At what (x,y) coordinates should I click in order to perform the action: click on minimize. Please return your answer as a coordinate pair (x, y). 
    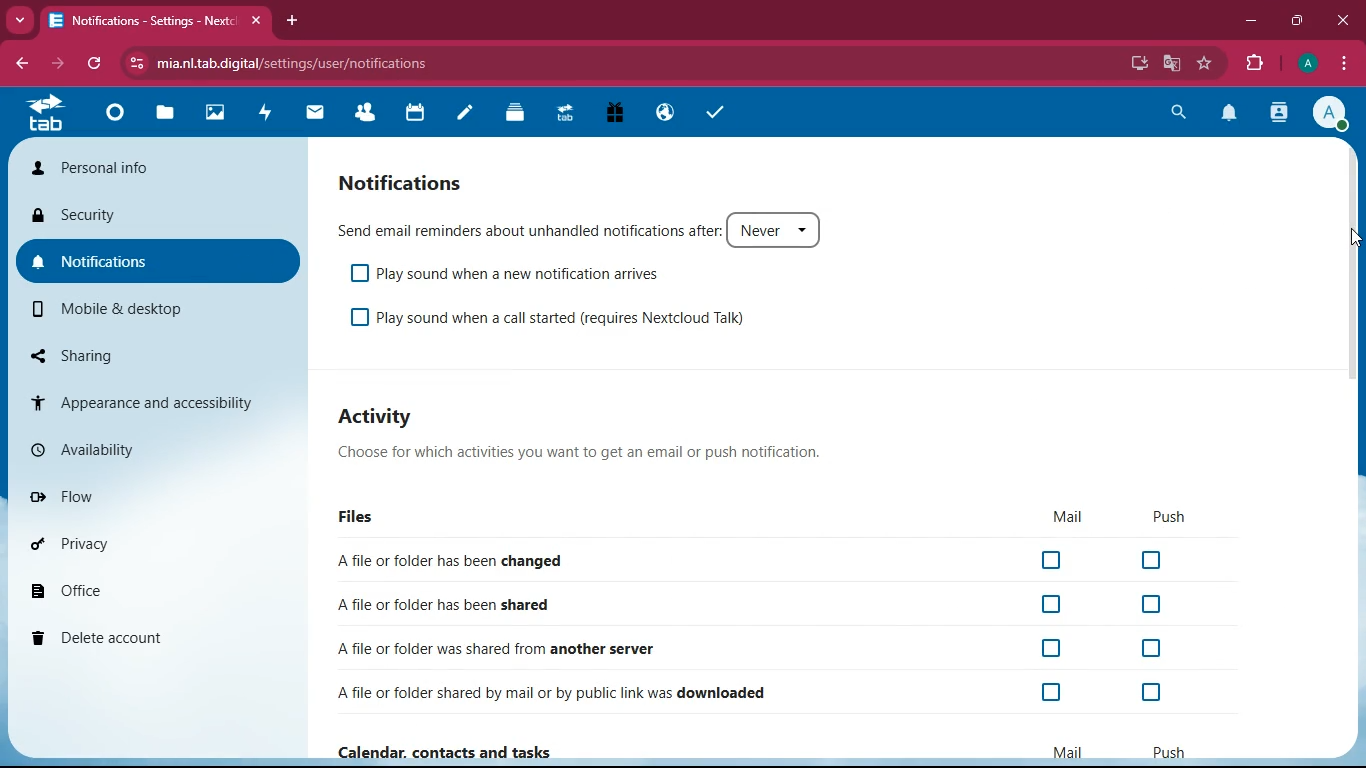
    Looking at the image, I should click on (1250, 22).